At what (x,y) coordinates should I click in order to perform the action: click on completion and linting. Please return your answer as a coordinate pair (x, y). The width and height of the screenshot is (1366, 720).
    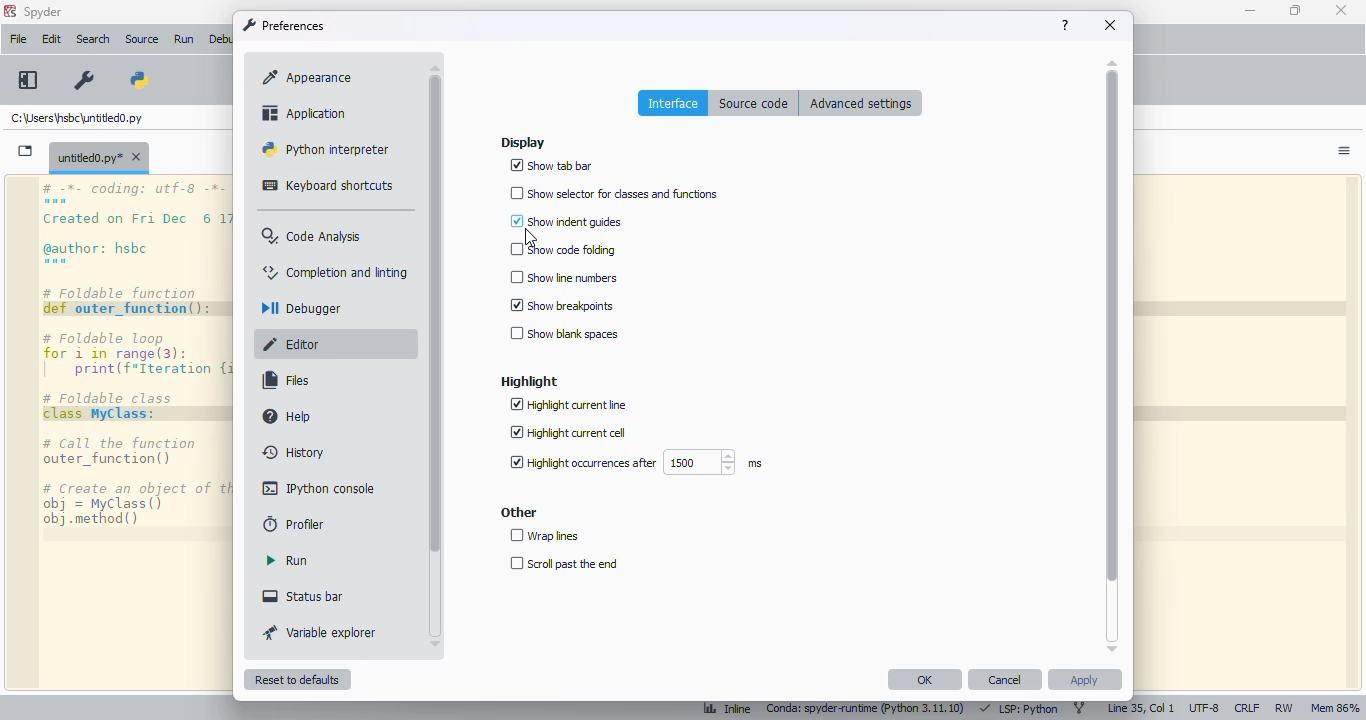
    Looking at the image, I should click on (336, 272).